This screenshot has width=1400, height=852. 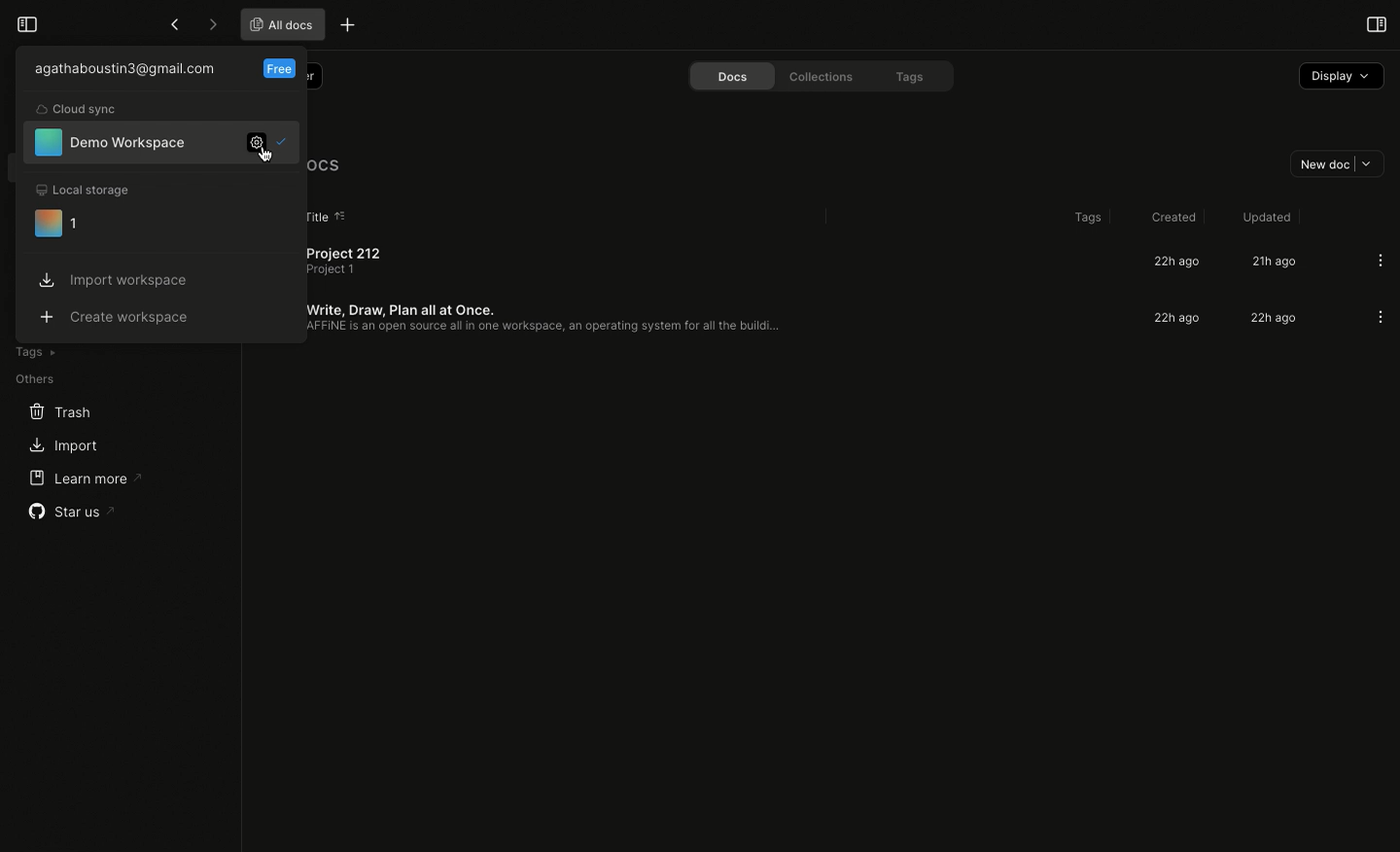 What do you see at coordinates (1271, 320) in the screenshot?
I see `22h ago` at bounding box center [1271, 320].